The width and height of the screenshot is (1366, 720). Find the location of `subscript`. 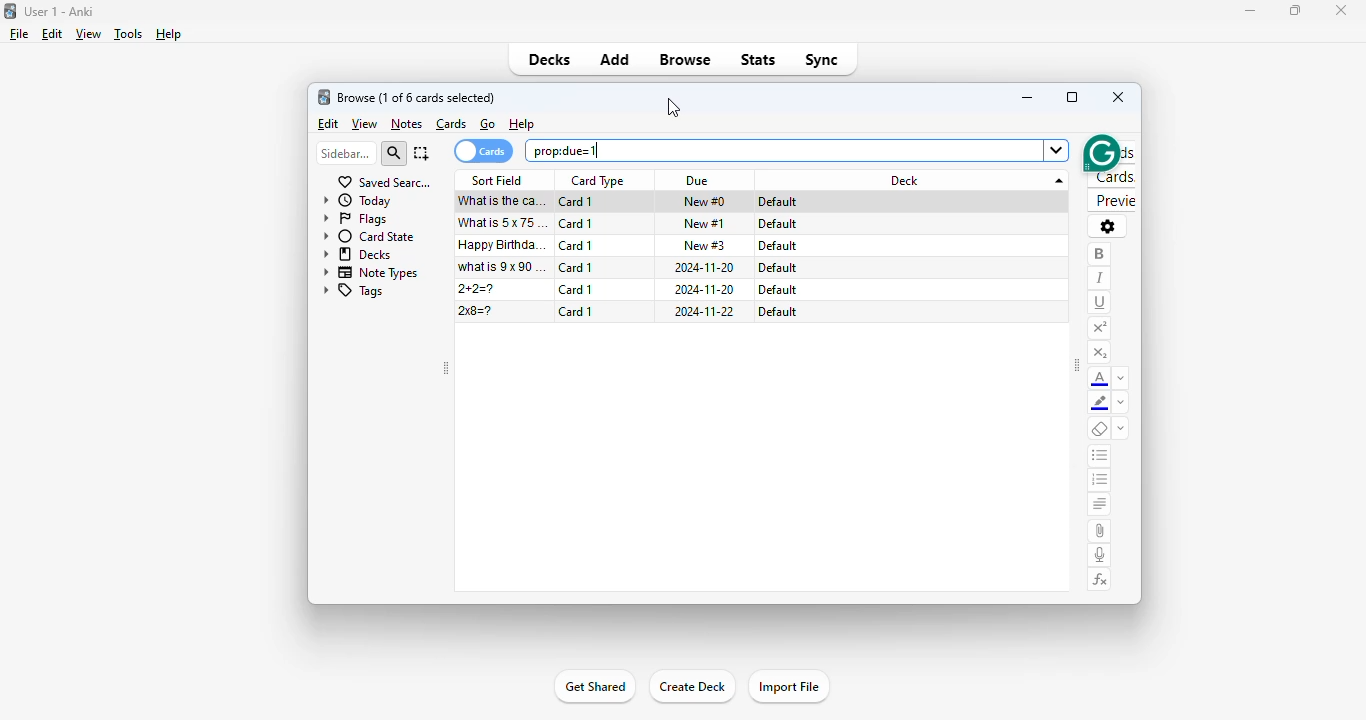

subscript is located at coordinates (1100, 352).